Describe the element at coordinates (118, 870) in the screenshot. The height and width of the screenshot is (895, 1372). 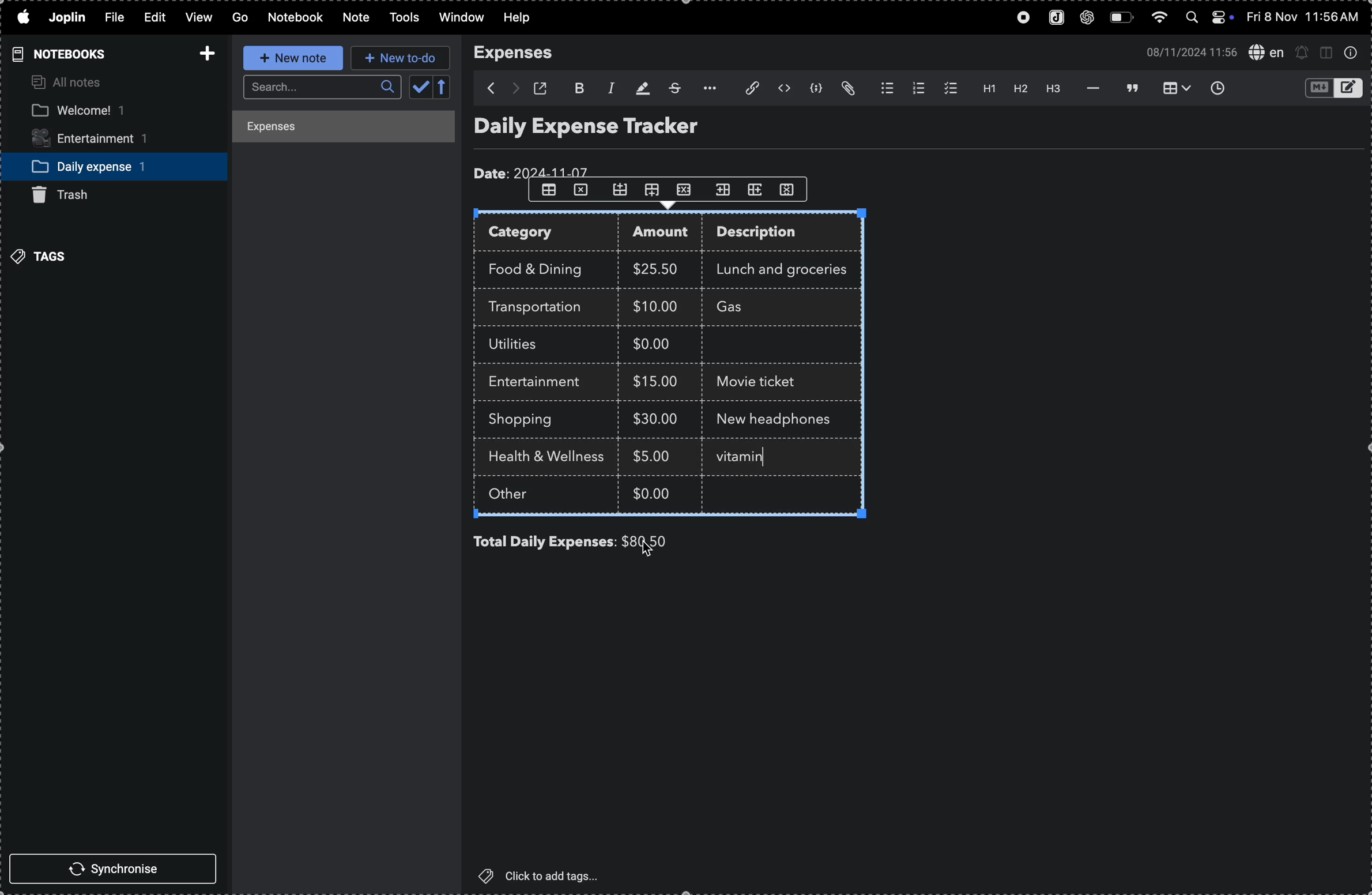
I see `synchronise` at that location.